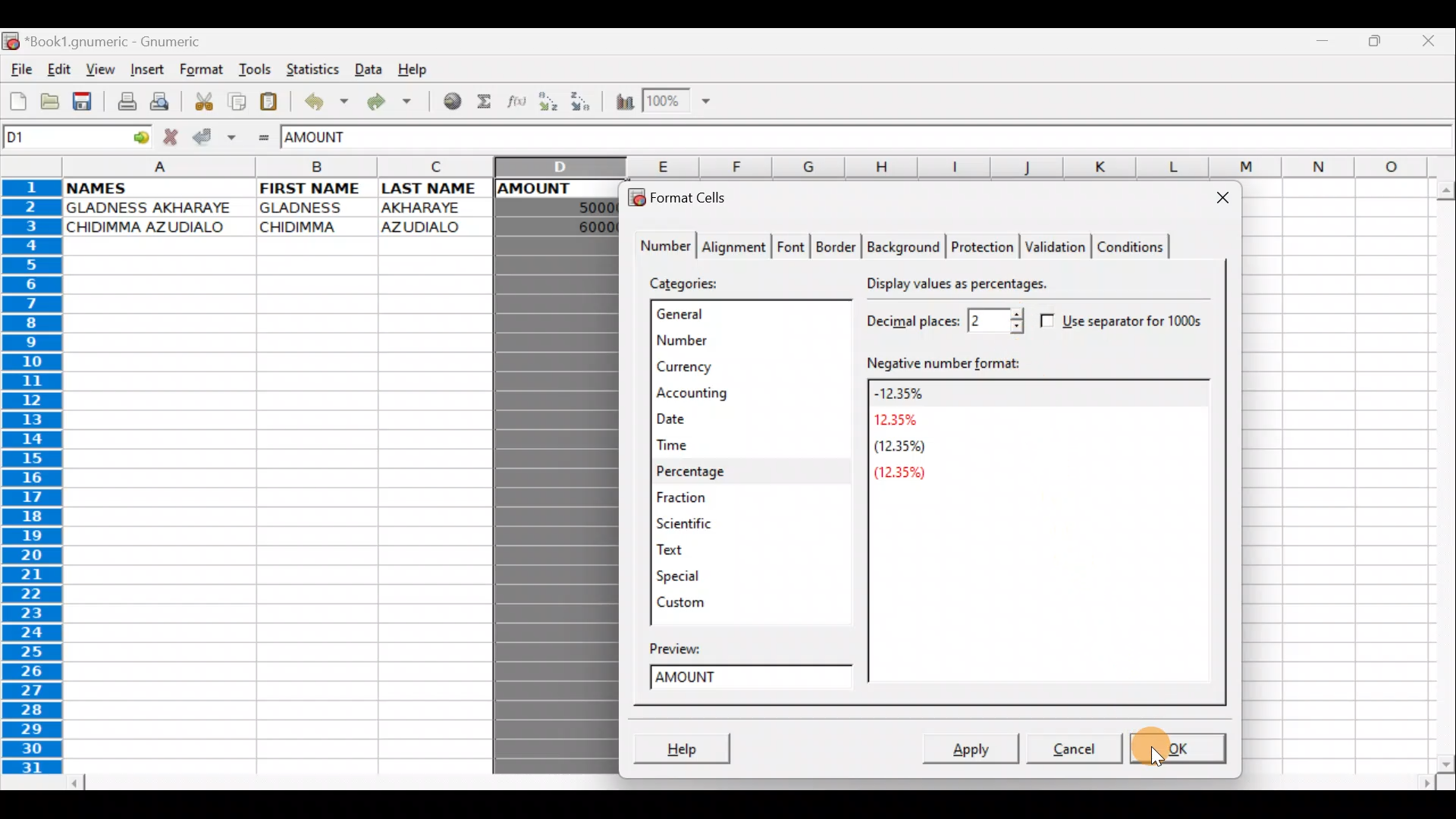 The width and height of the screenshot is (1456, 819). What do you see at coordinates (309, 69) in the screenshot?
I see `Statistics` at bounding box center [309, 69].